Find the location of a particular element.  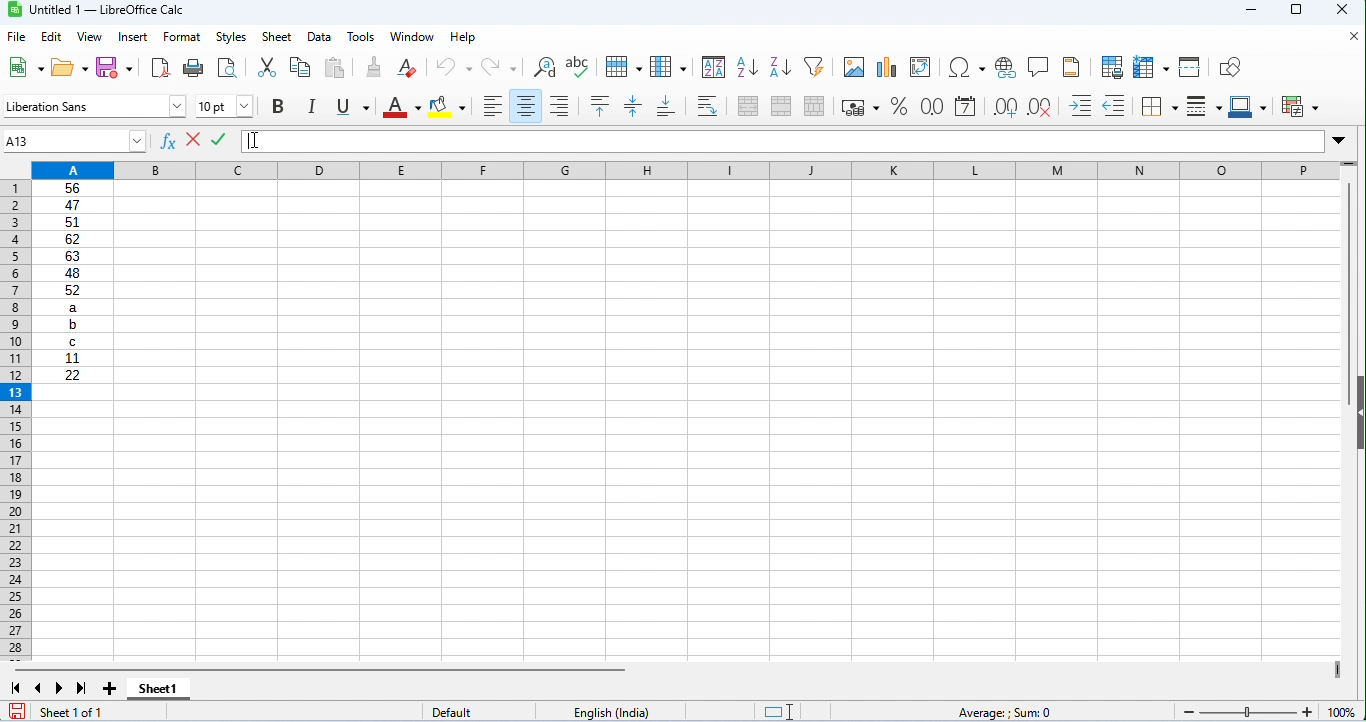

drop down for cell numbers is located at coordinates (137, 141).